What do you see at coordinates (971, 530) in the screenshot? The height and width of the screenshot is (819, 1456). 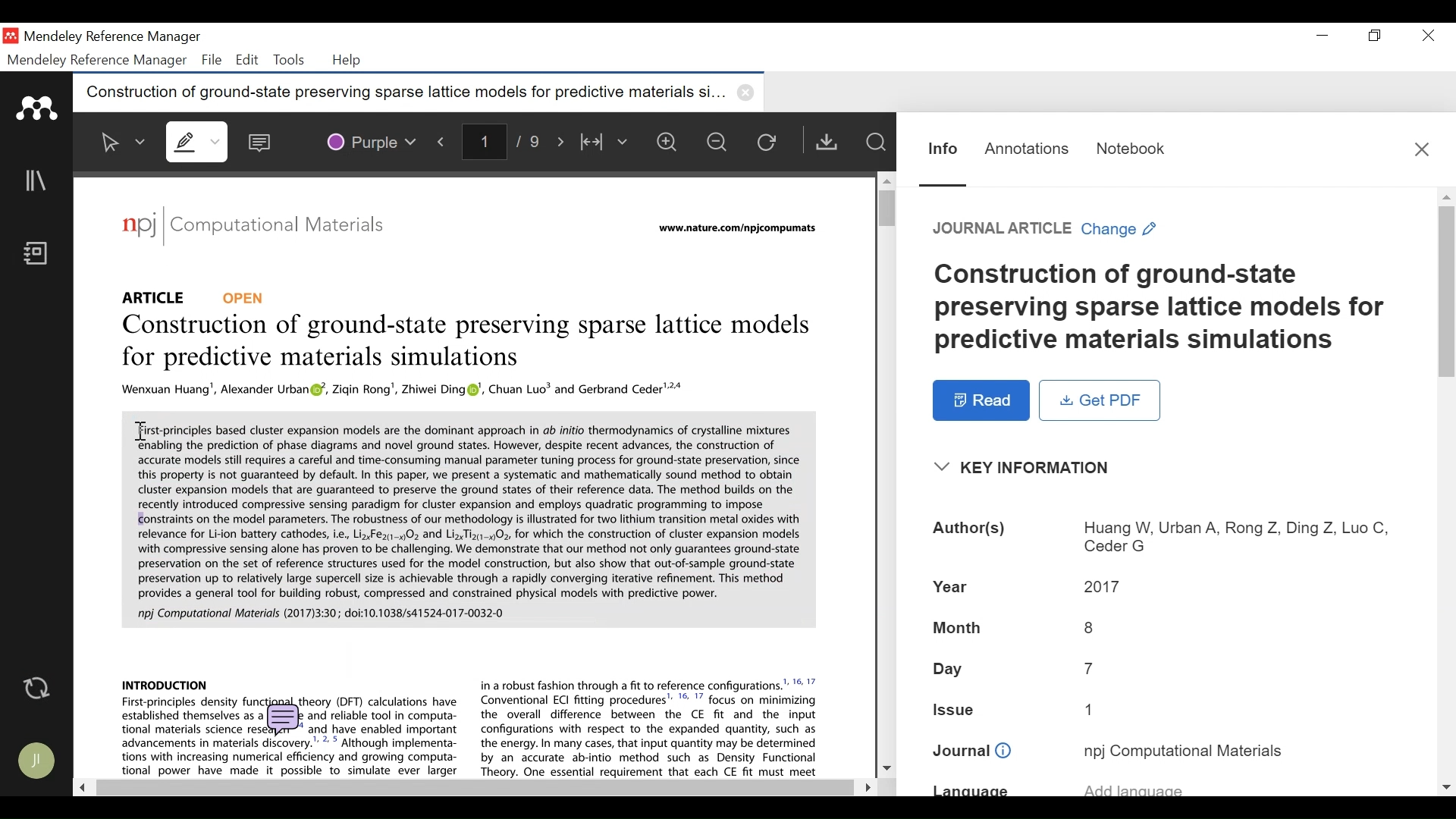 I see `Authors` at bounding box center [971, 530].